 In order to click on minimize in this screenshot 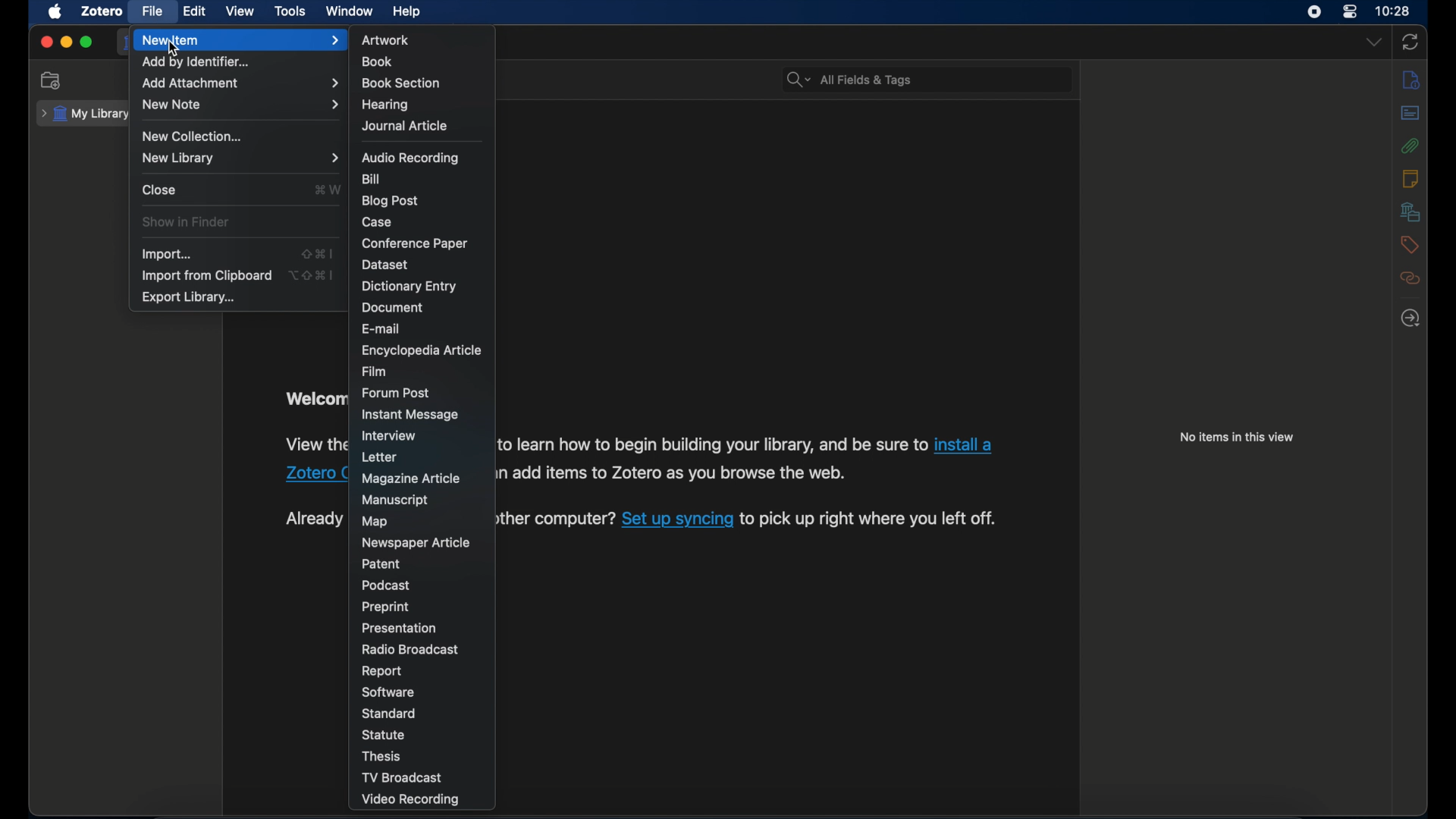, I will do `click(65, 42)`.